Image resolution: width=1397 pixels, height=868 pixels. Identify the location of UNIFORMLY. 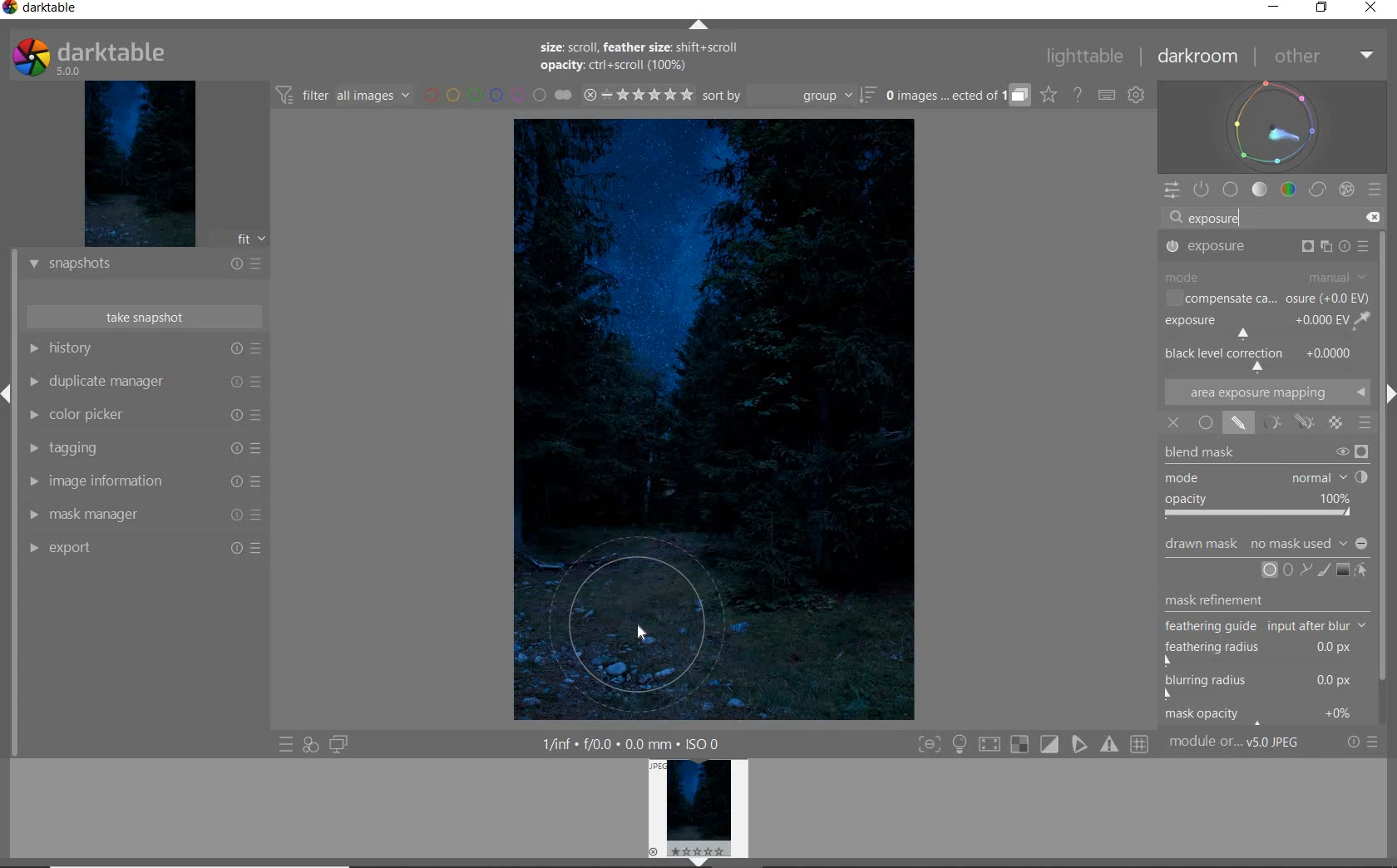
(1203, 423).